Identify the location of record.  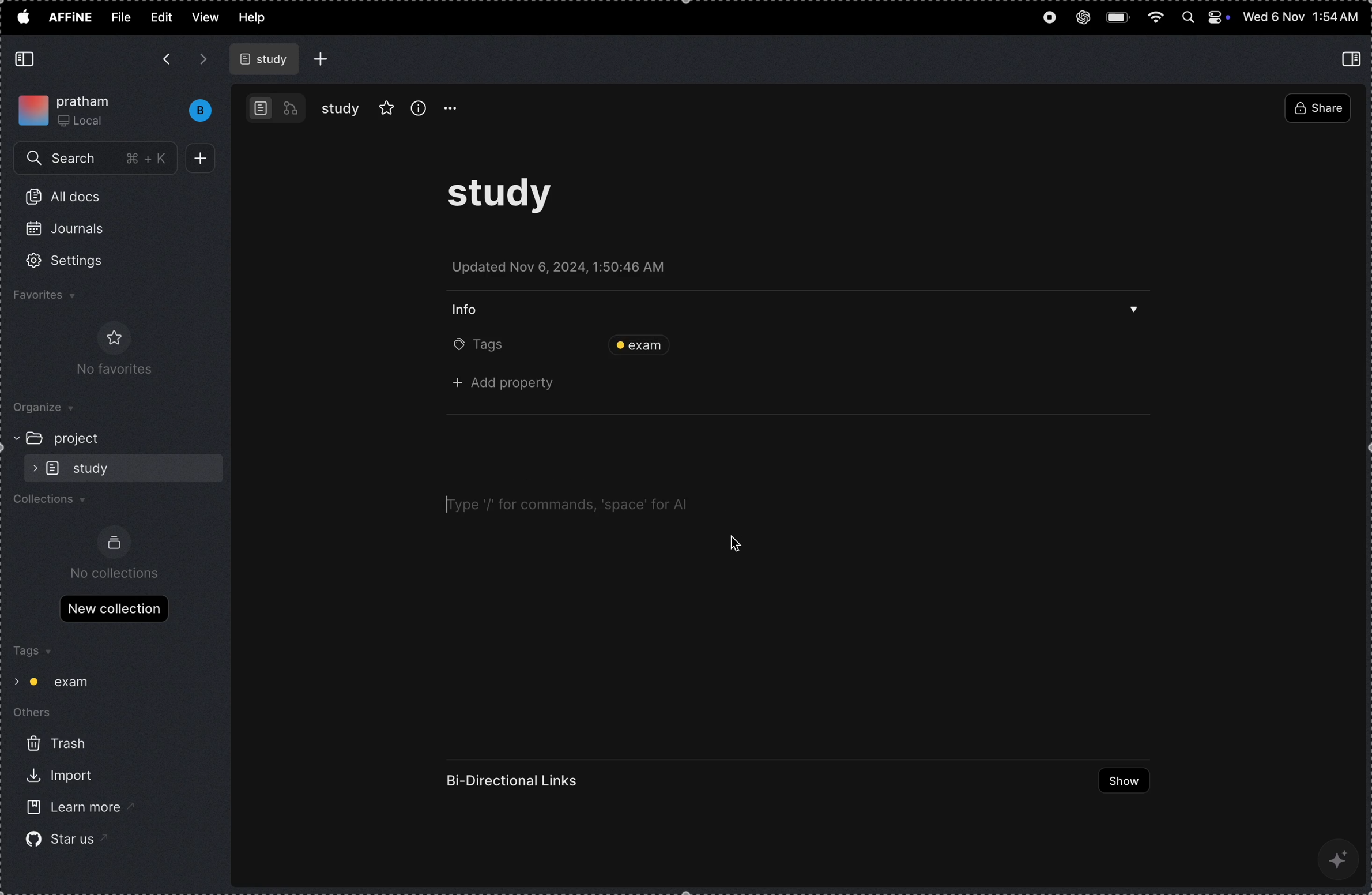
(1048, 19).